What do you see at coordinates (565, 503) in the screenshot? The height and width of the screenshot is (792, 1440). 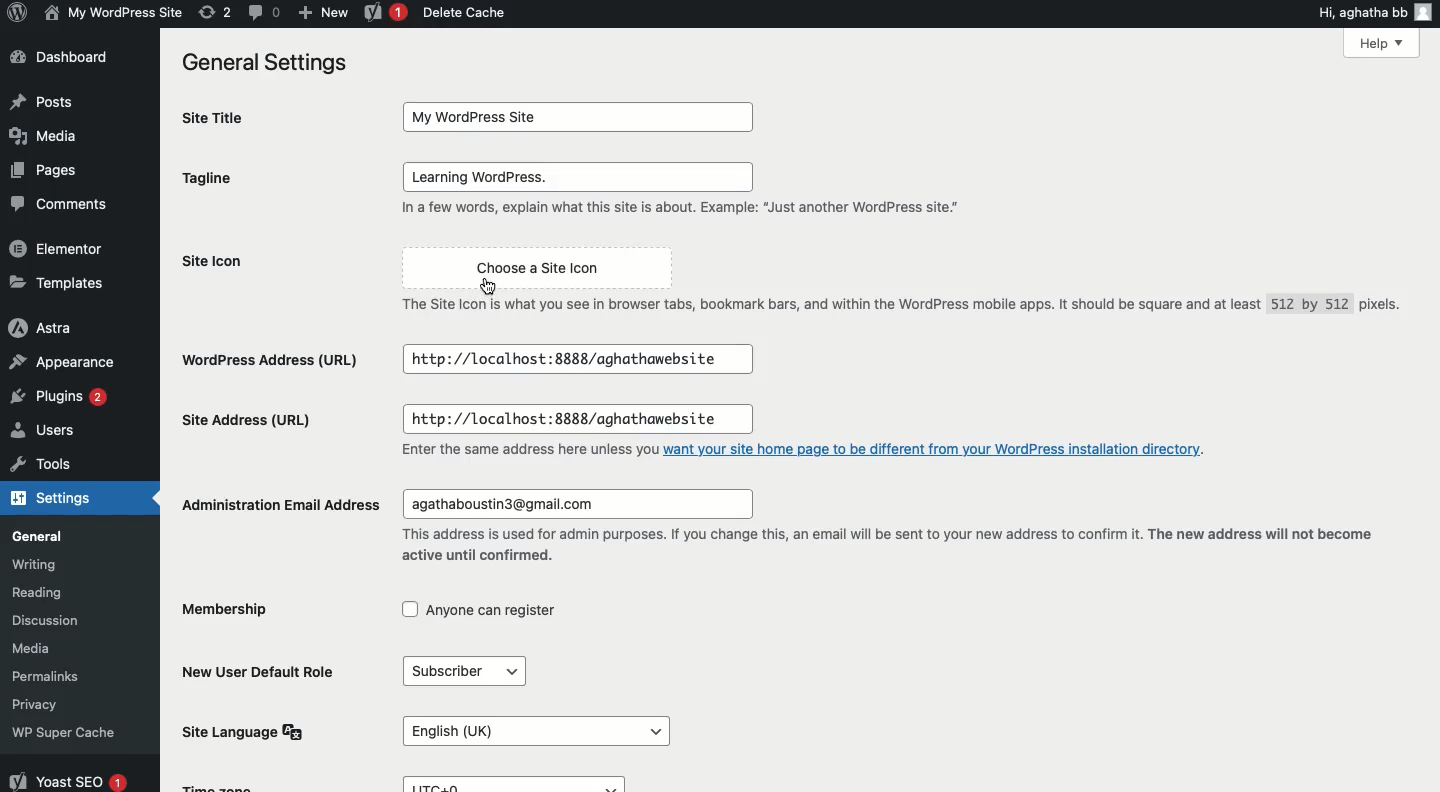 I see `agathaboustin3@gmail.com` at bounding box center [565, 503].